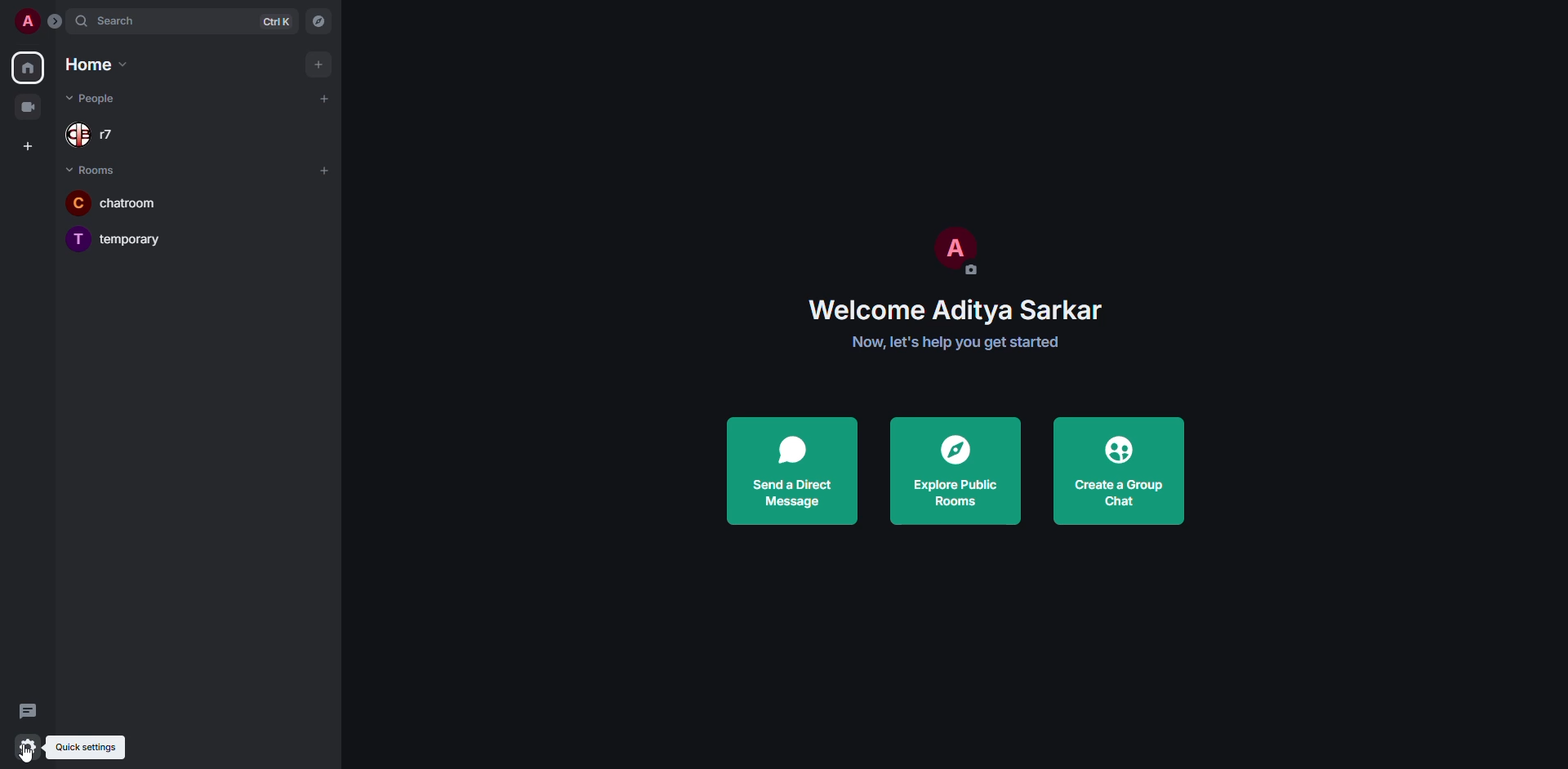 The width and height of the screenshot is (1568, 769). What do you see at coordinates (29, 66) in the screenshot?
I see `home` at bounding box center [29, 66].